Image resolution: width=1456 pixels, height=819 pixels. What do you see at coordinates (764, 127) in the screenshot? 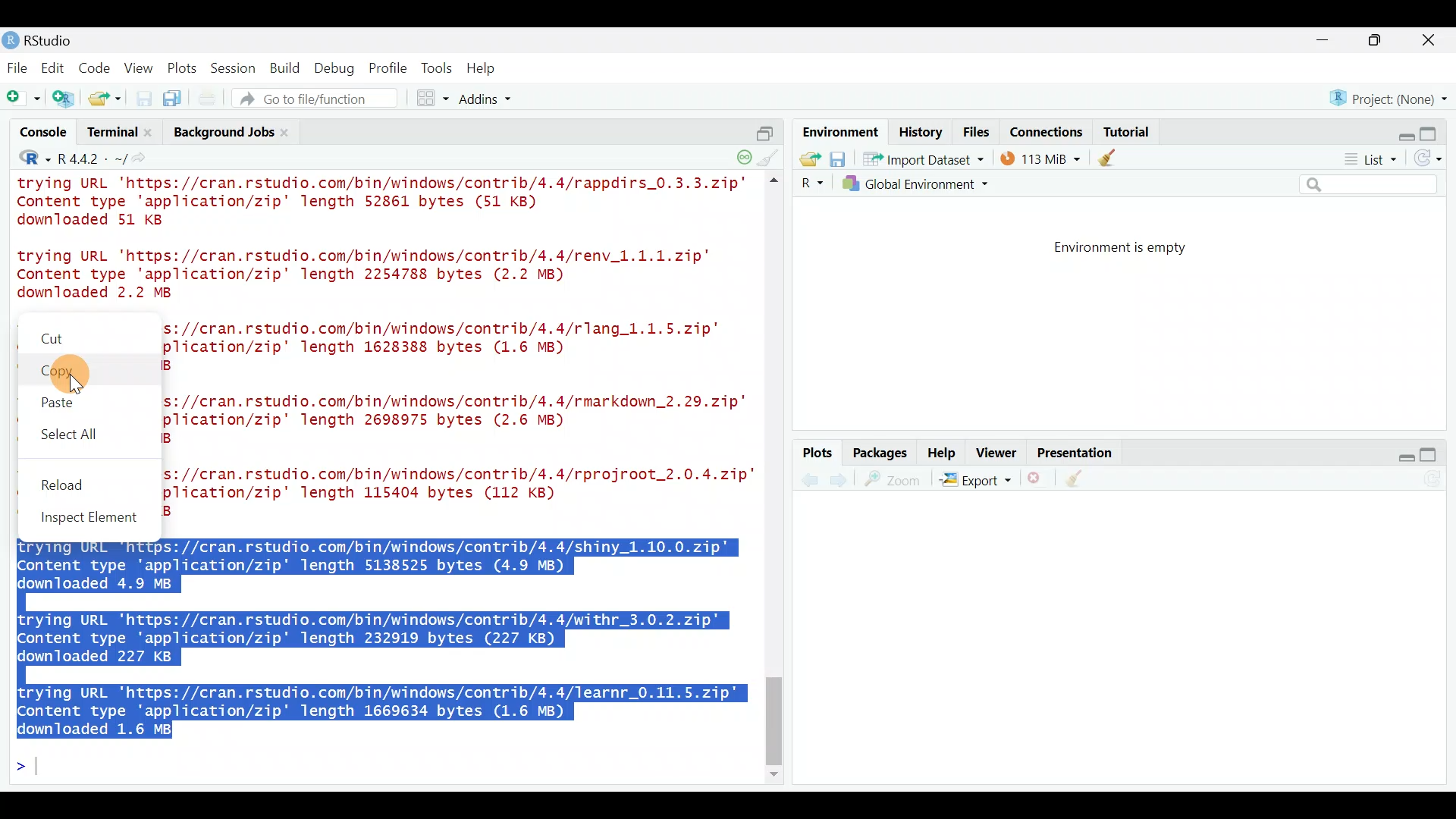
I see `split` at bounding box center [764, 127].